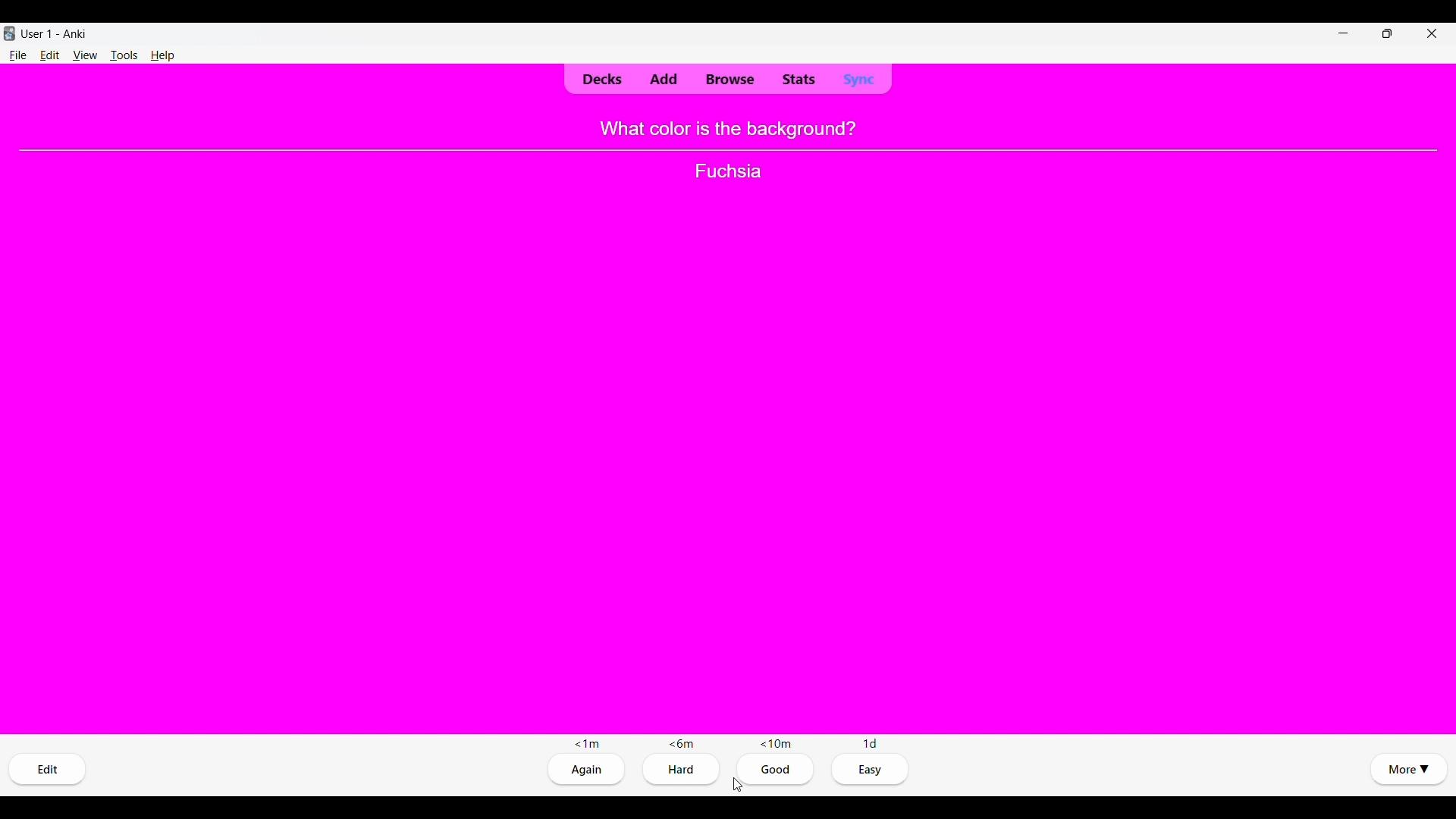  What do you see at coordinates (871, 770) in the screenshot?
I see `Easy button` at bounding box center [871, 770].